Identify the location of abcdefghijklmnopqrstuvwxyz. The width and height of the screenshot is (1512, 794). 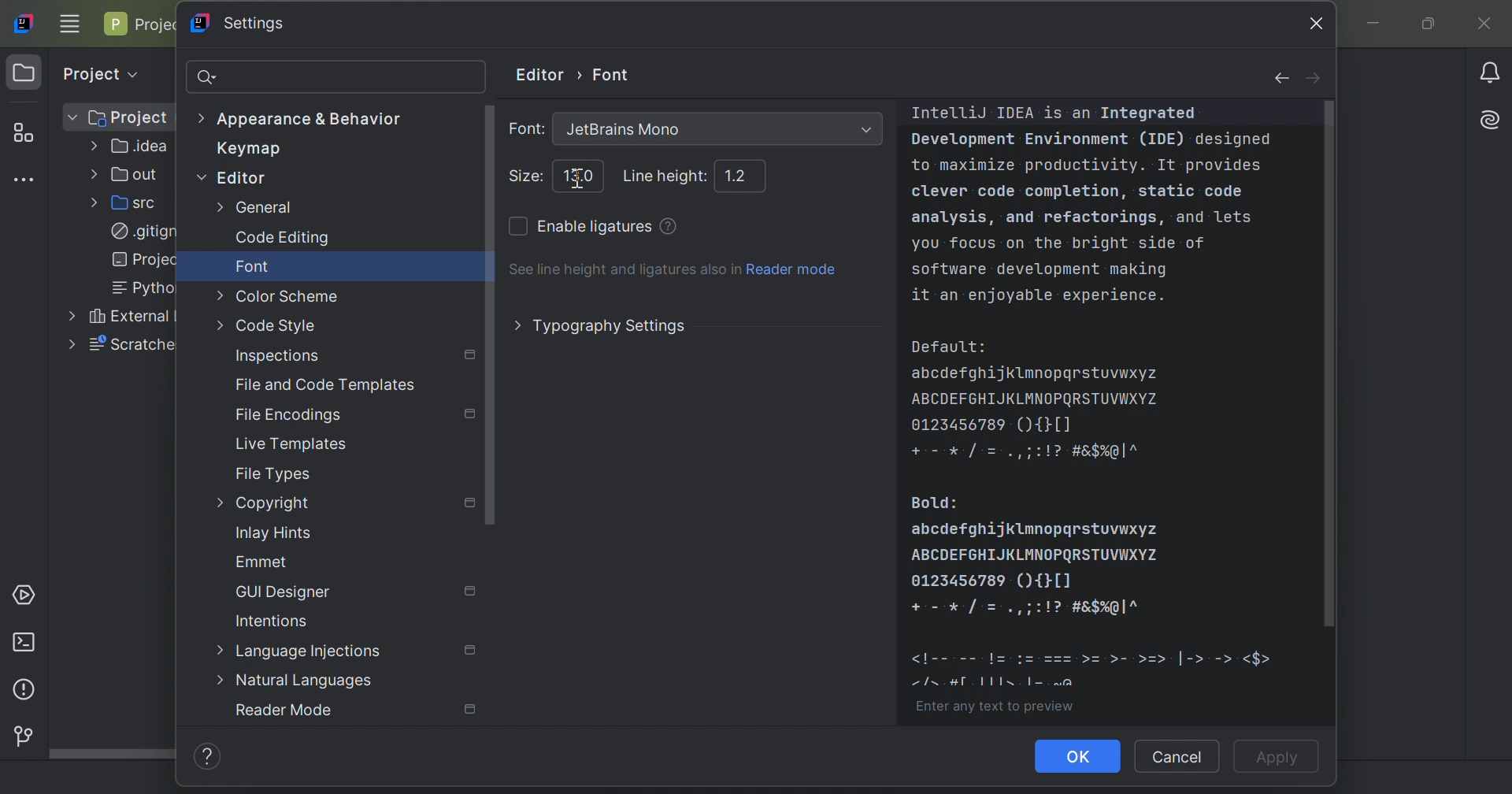
(1039, 530).